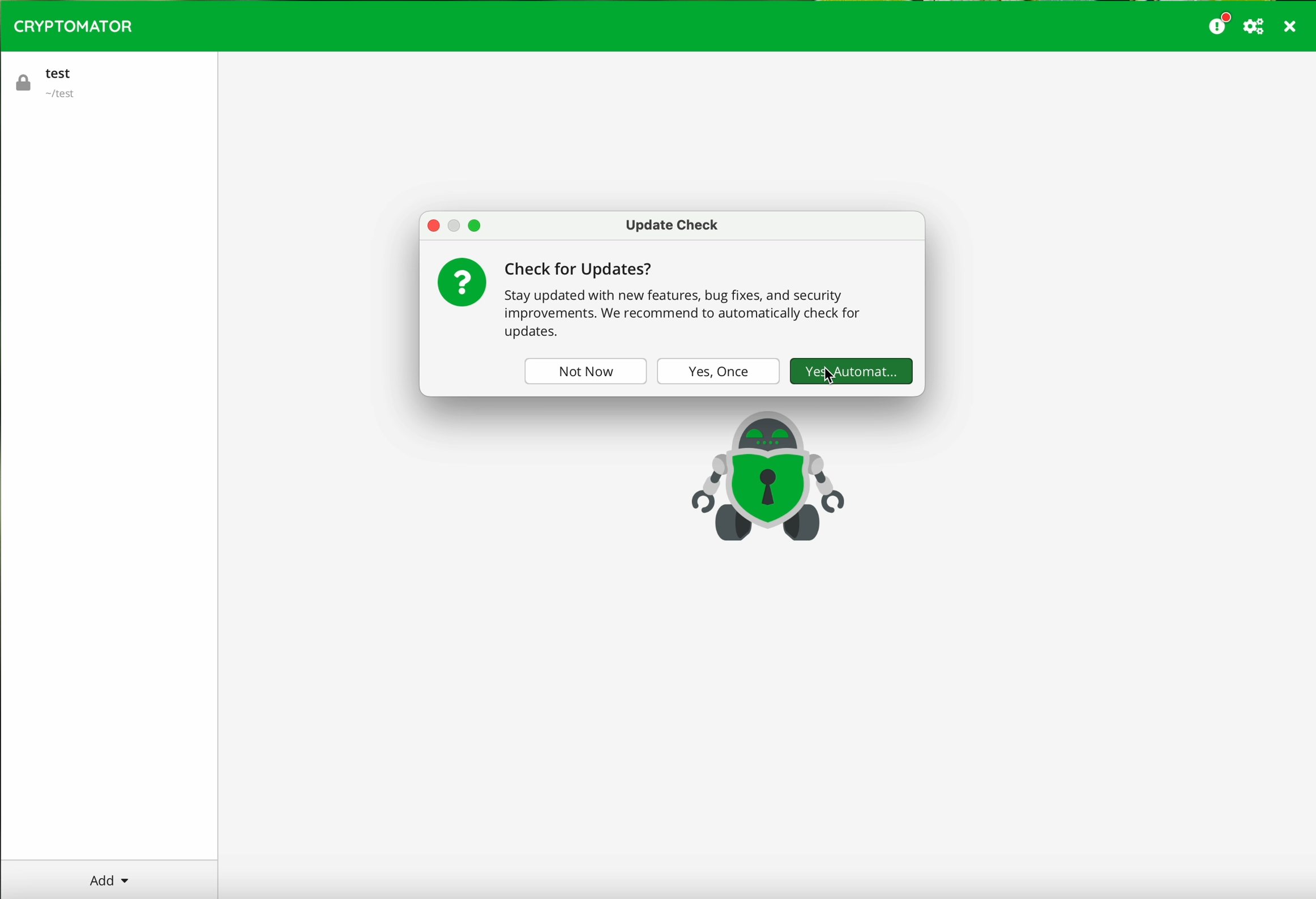 This screenshot has height=899, width=1316. I want to click on test vault, so click(51, 80).